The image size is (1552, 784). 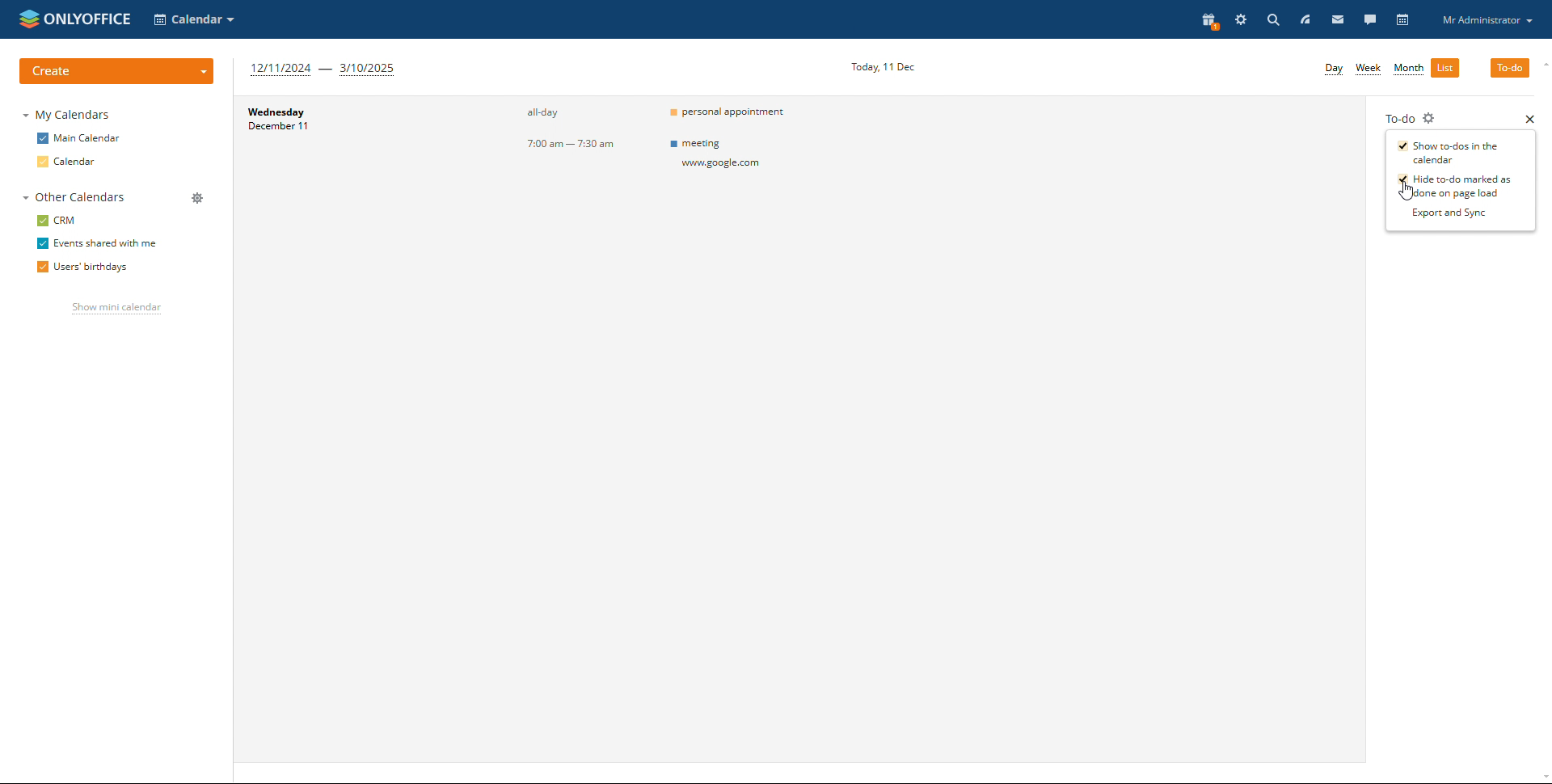 I want to click on users' birthdays, so click(x=82, y=267).